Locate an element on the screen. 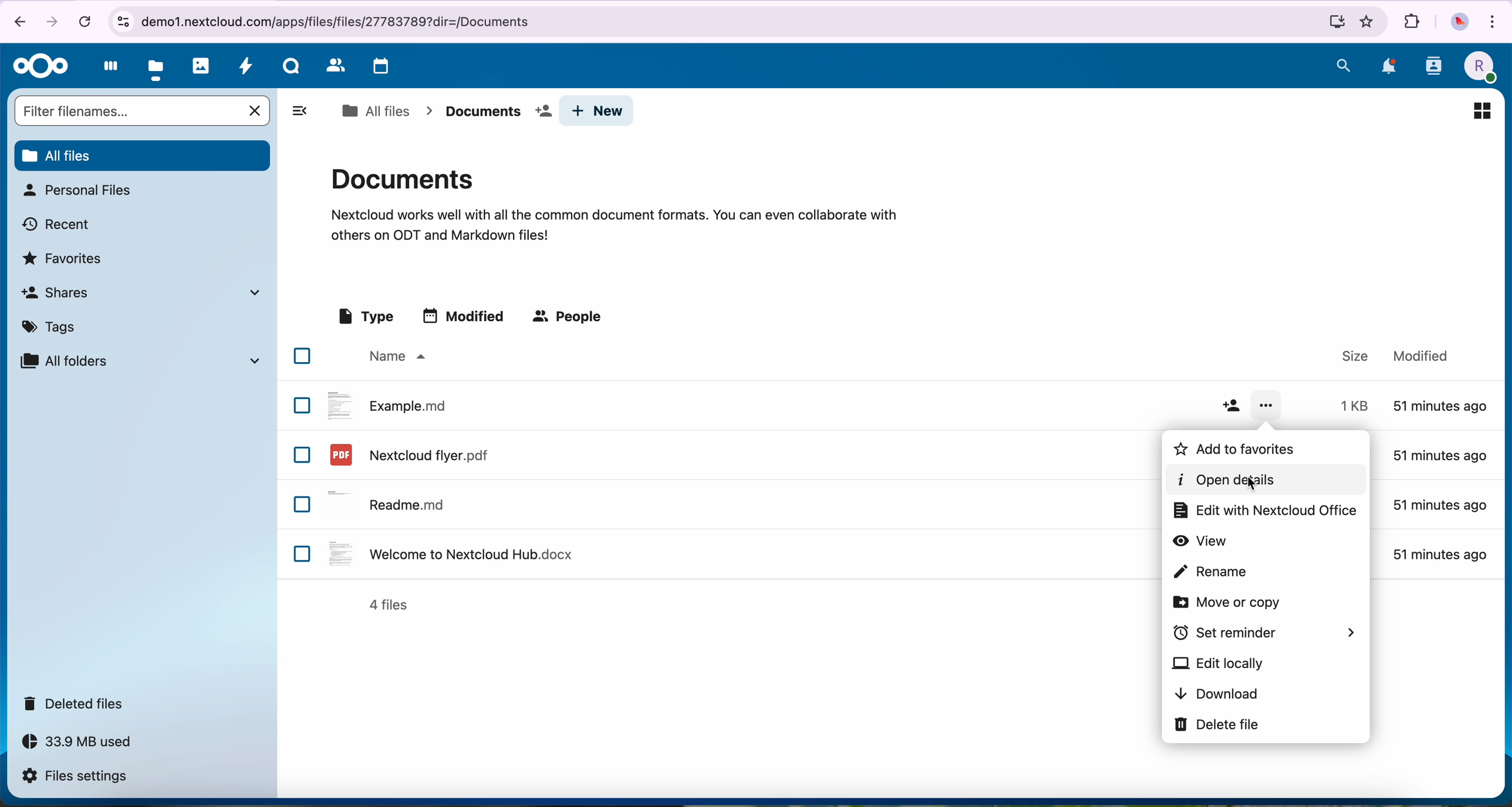 This screenshot has width=1512, height=807. files is located at coordinates (157, 67).